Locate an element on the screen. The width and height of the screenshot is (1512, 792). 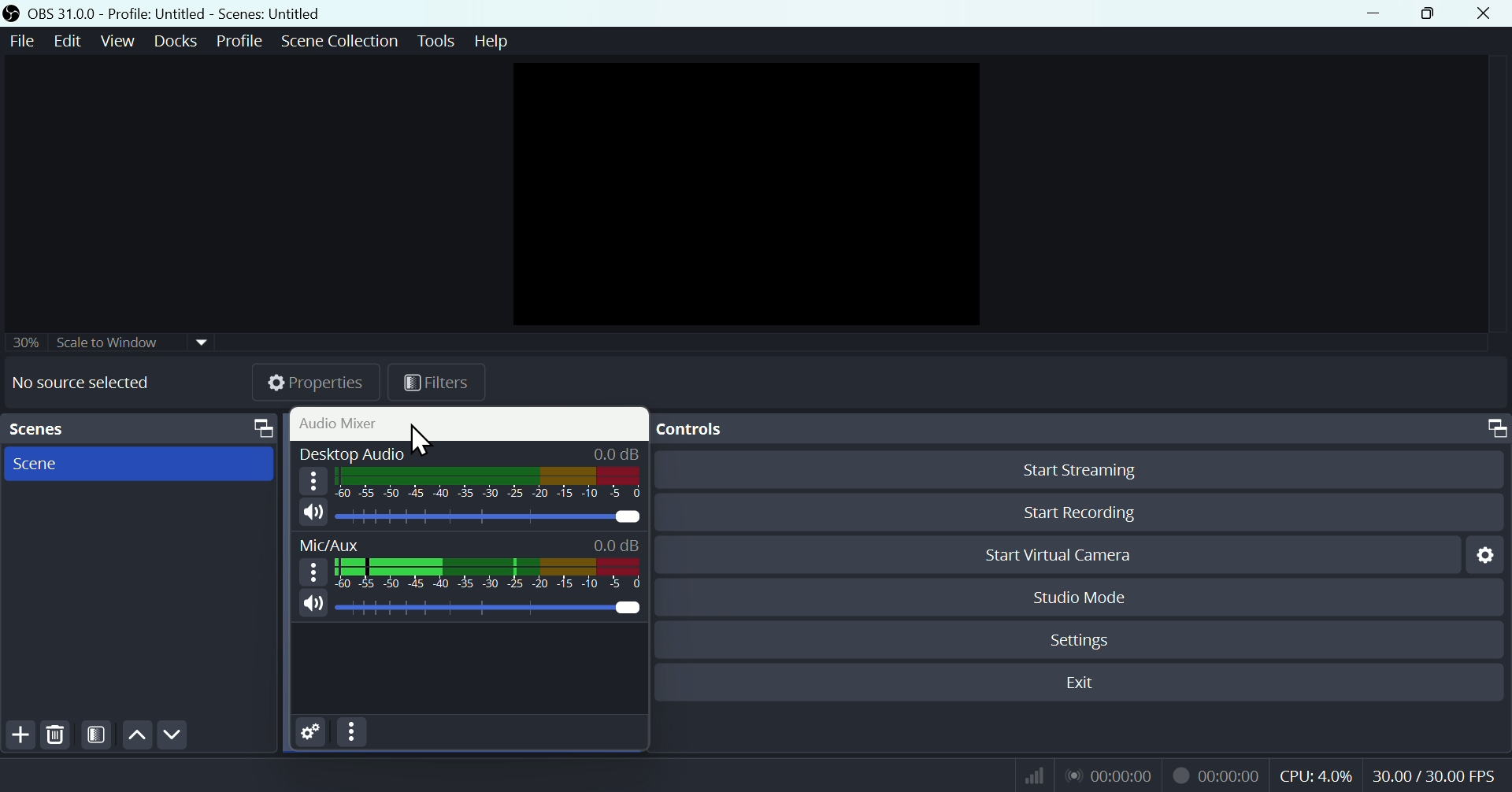
Properties is located at coordinates (314, 385).